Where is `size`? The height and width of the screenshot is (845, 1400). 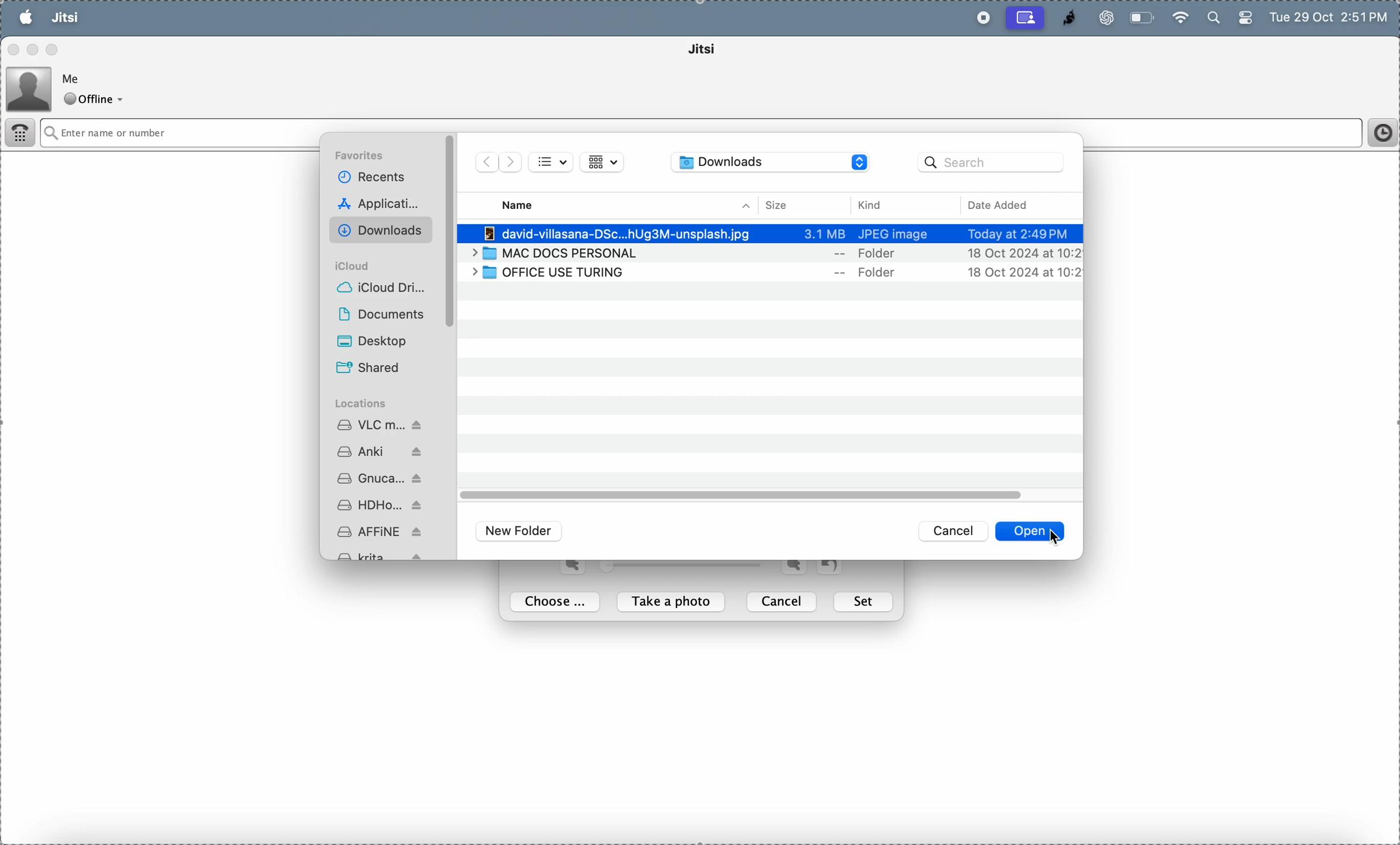 size is located at coordinates (786, 205).